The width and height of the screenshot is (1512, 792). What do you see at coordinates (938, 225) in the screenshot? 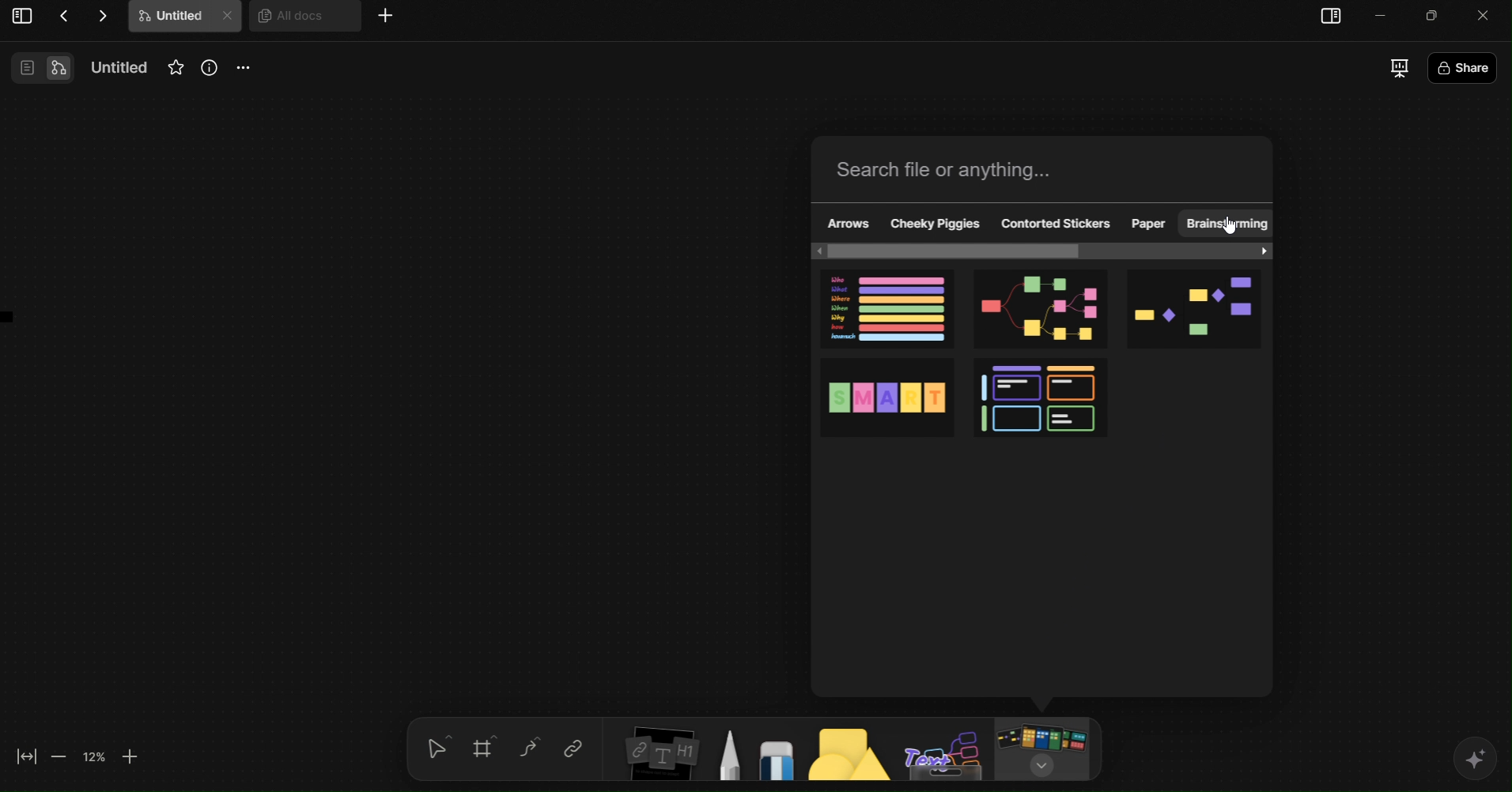
I see `Cheeky Piggies` at bounding box center [938, 225].